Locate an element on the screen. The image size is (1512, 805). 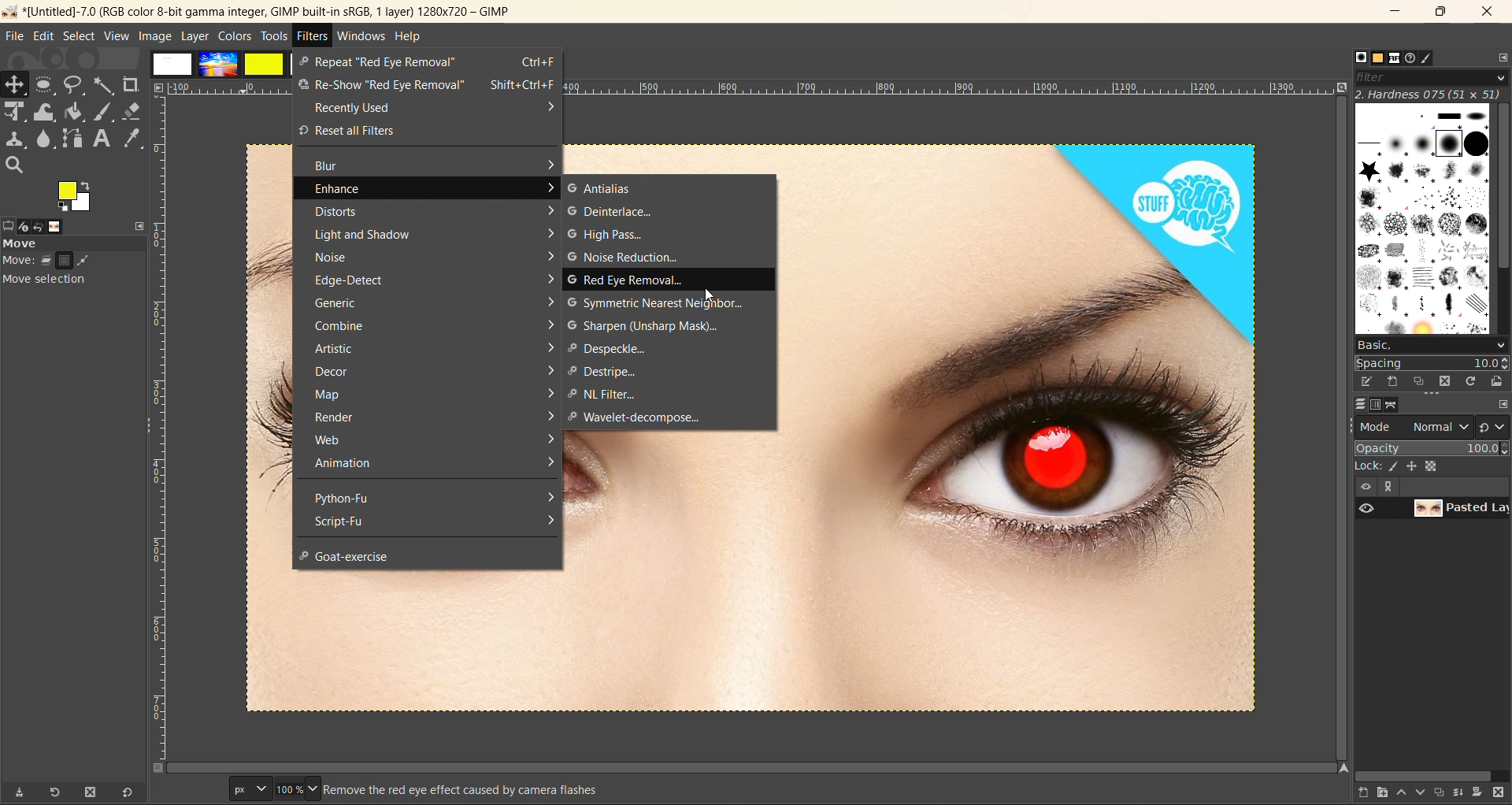
position is located at coordinates (1414, 466).